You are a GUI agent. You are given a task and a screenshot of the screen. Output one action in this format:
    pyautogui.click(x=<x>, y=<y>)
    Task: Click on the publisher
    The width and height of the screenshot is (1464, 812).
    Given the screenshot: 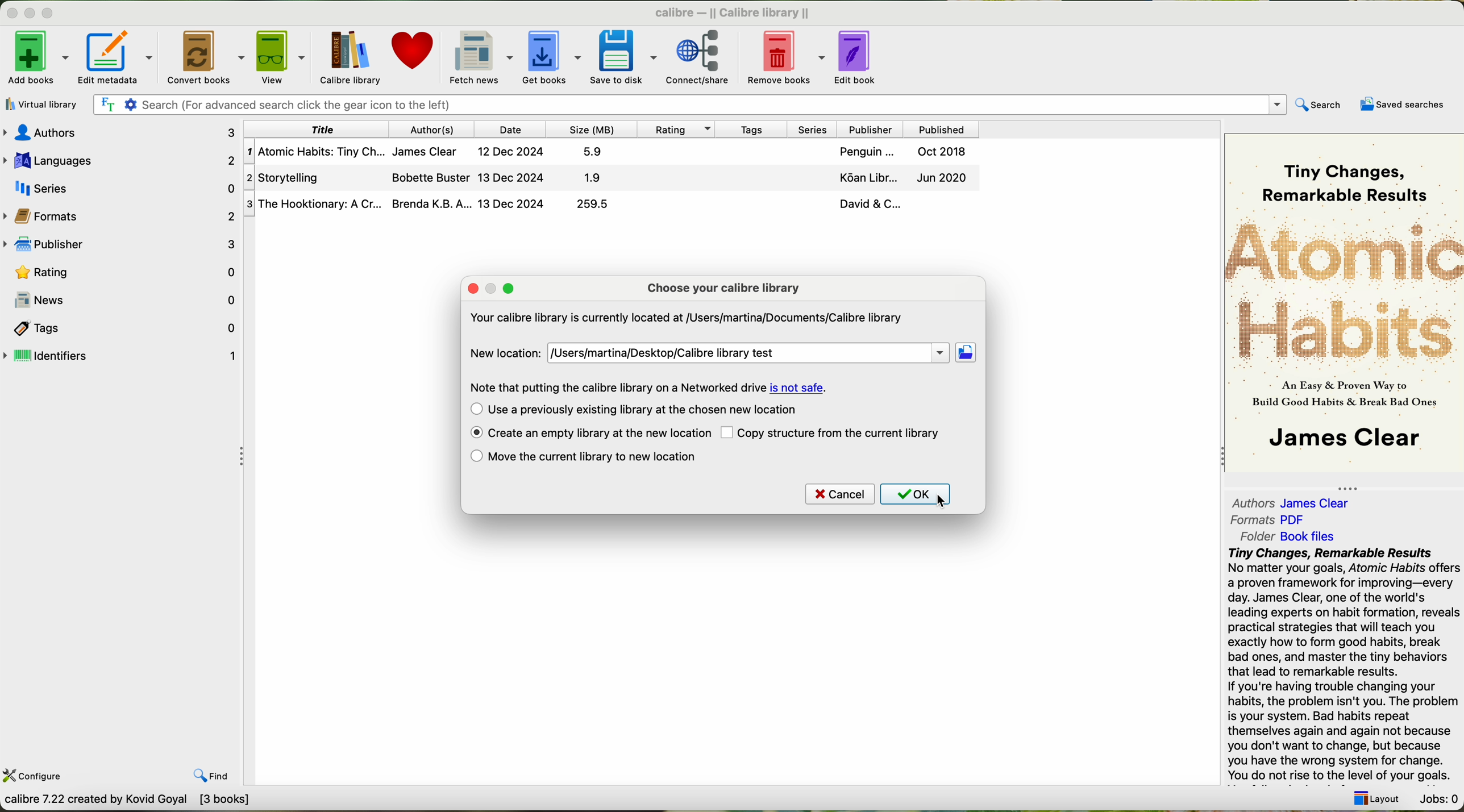 What is the action you would take?
    pyautogui.click(x=123, y=245)
    